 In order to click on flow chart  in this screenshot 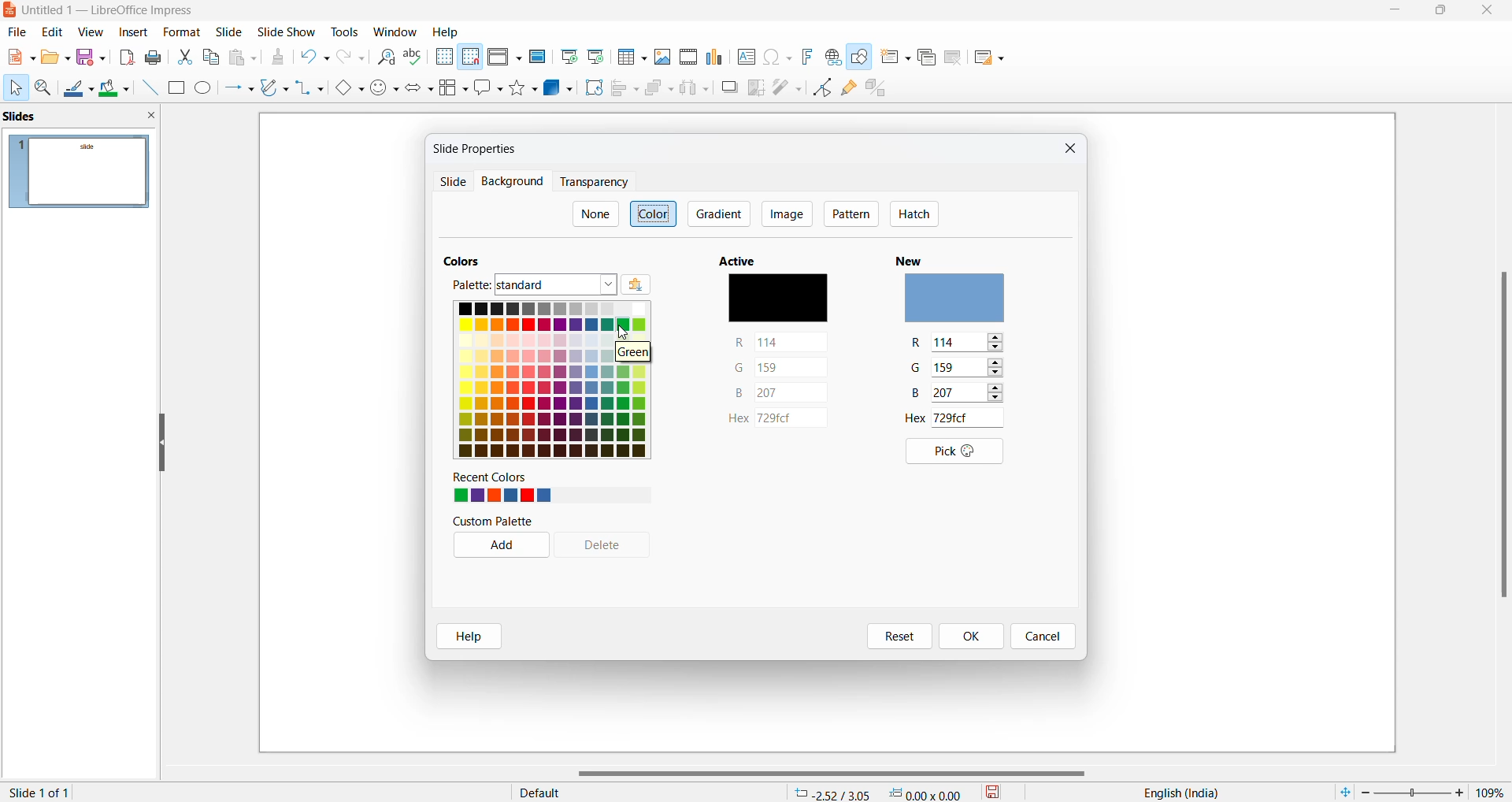, I will do `click(454, 87)`.